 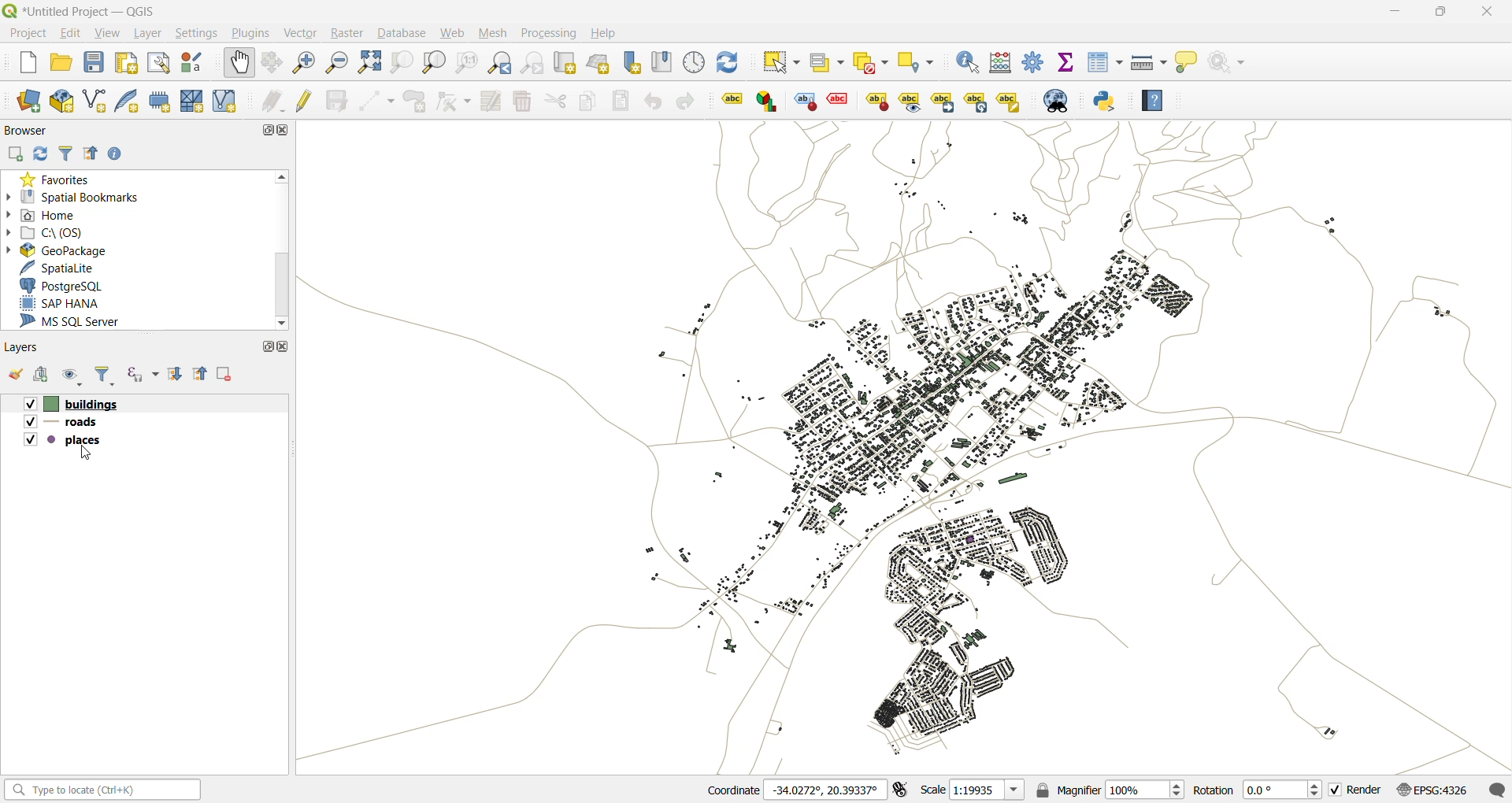 I want to click on open, so click(x=17, y=375).